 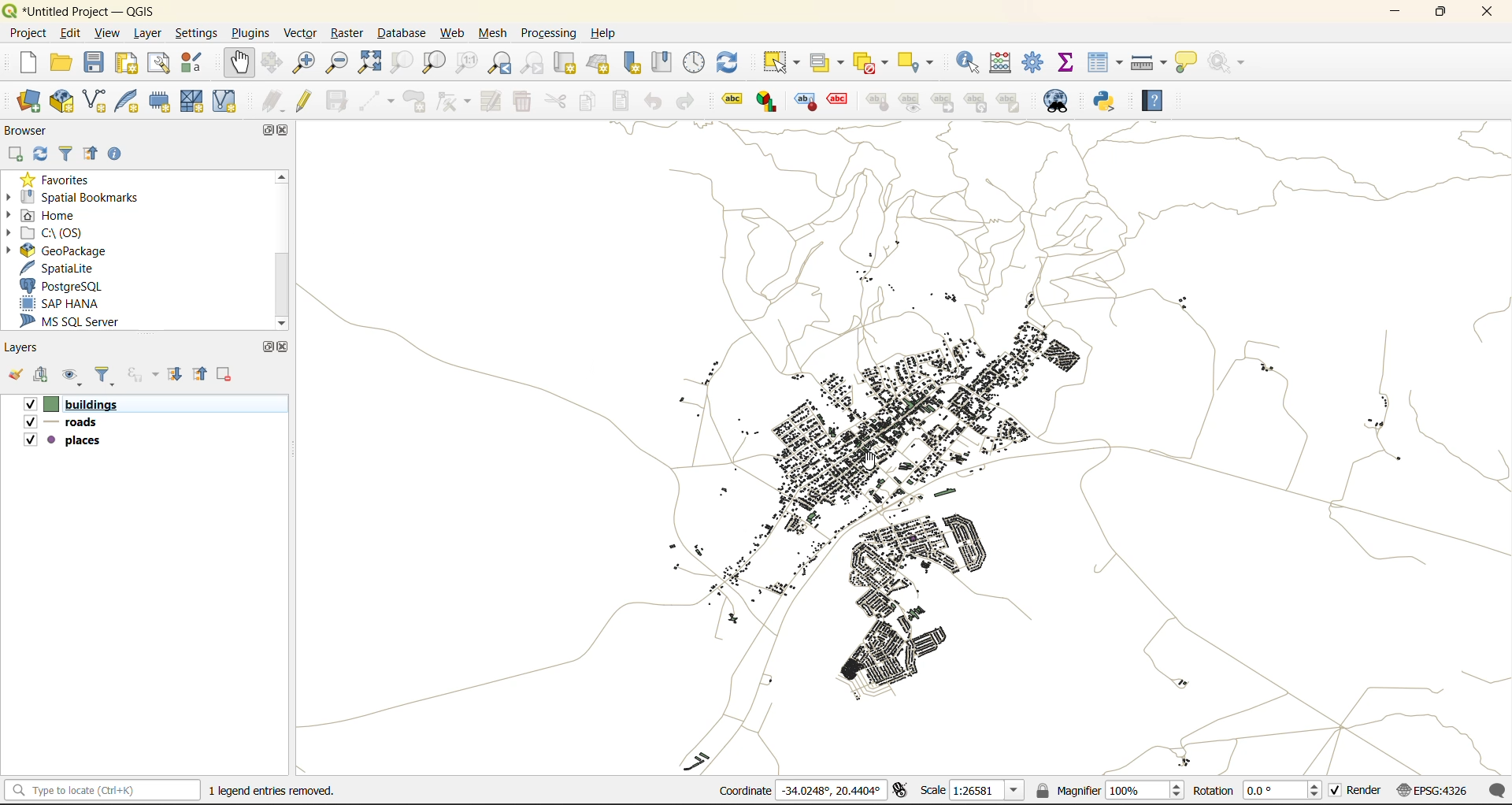 What do you see at coordinates (79, 405) in the screenshot?
I see `buildings` at bounding box center [79, 405].